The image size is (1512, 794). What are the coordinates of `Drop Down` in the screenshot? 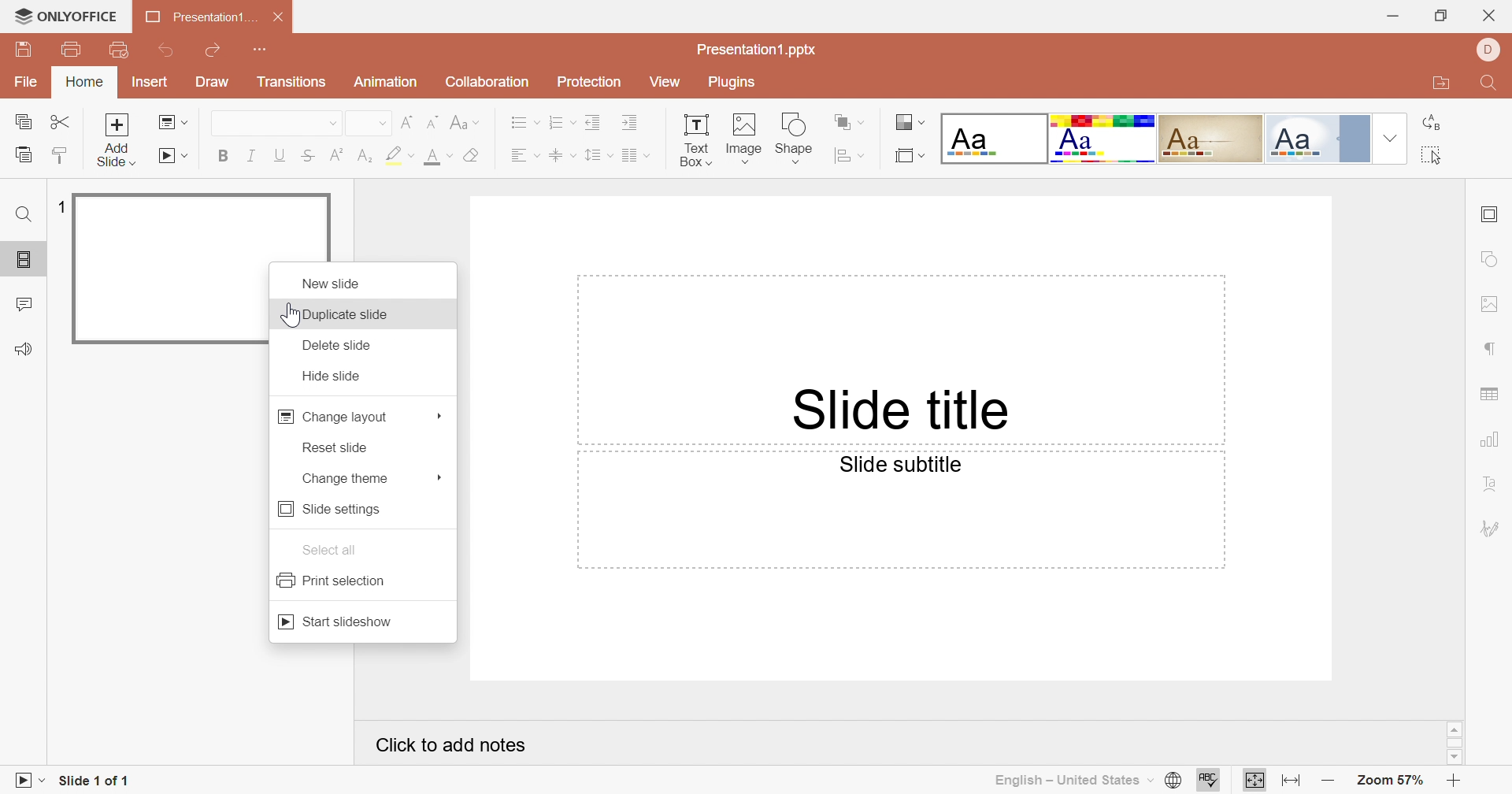 It's located at (450, 155).